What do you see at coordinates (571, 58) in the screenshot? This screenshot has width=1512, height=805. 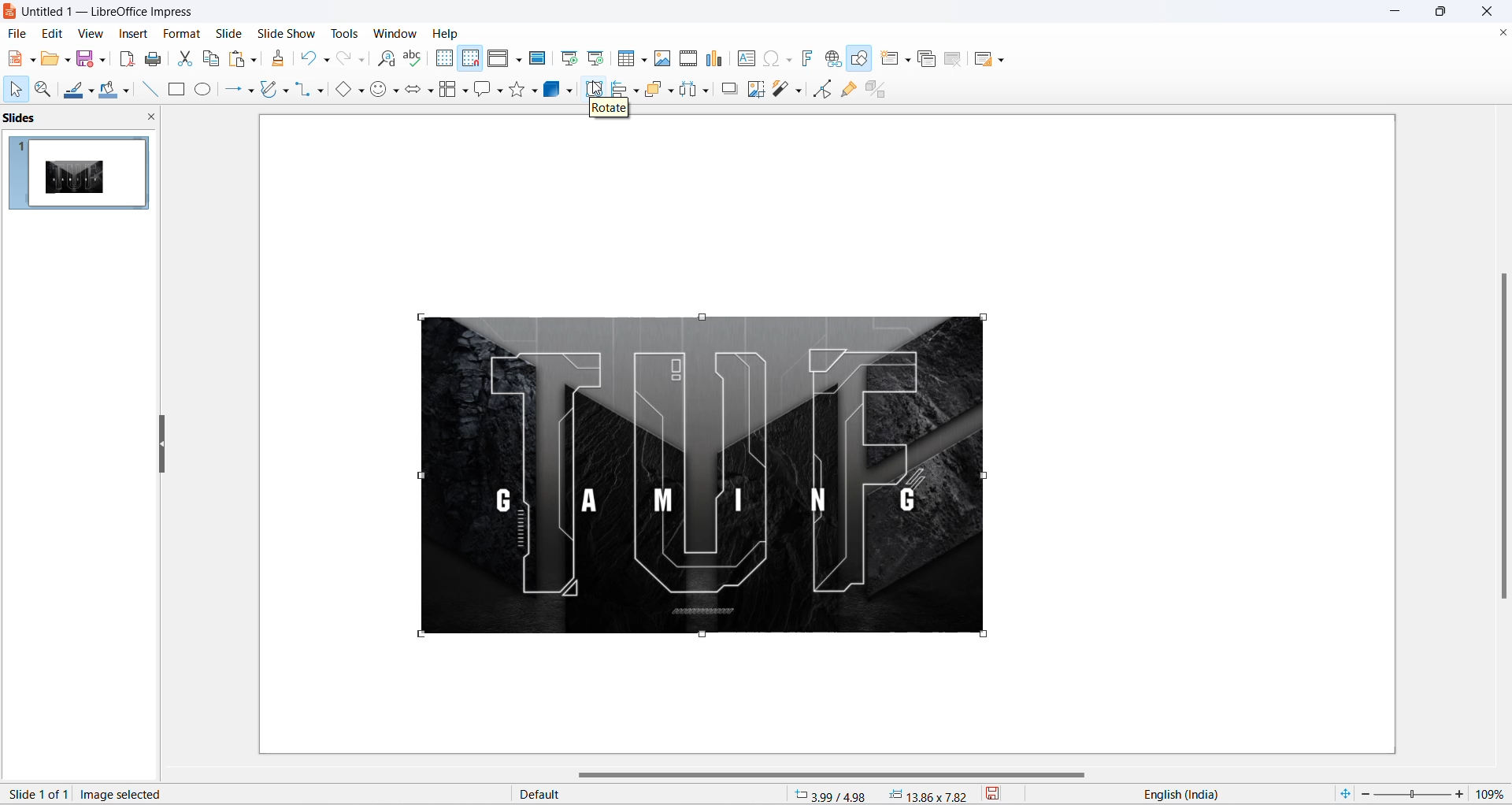 I see `start at first slide` at bounding box center [571, 58].